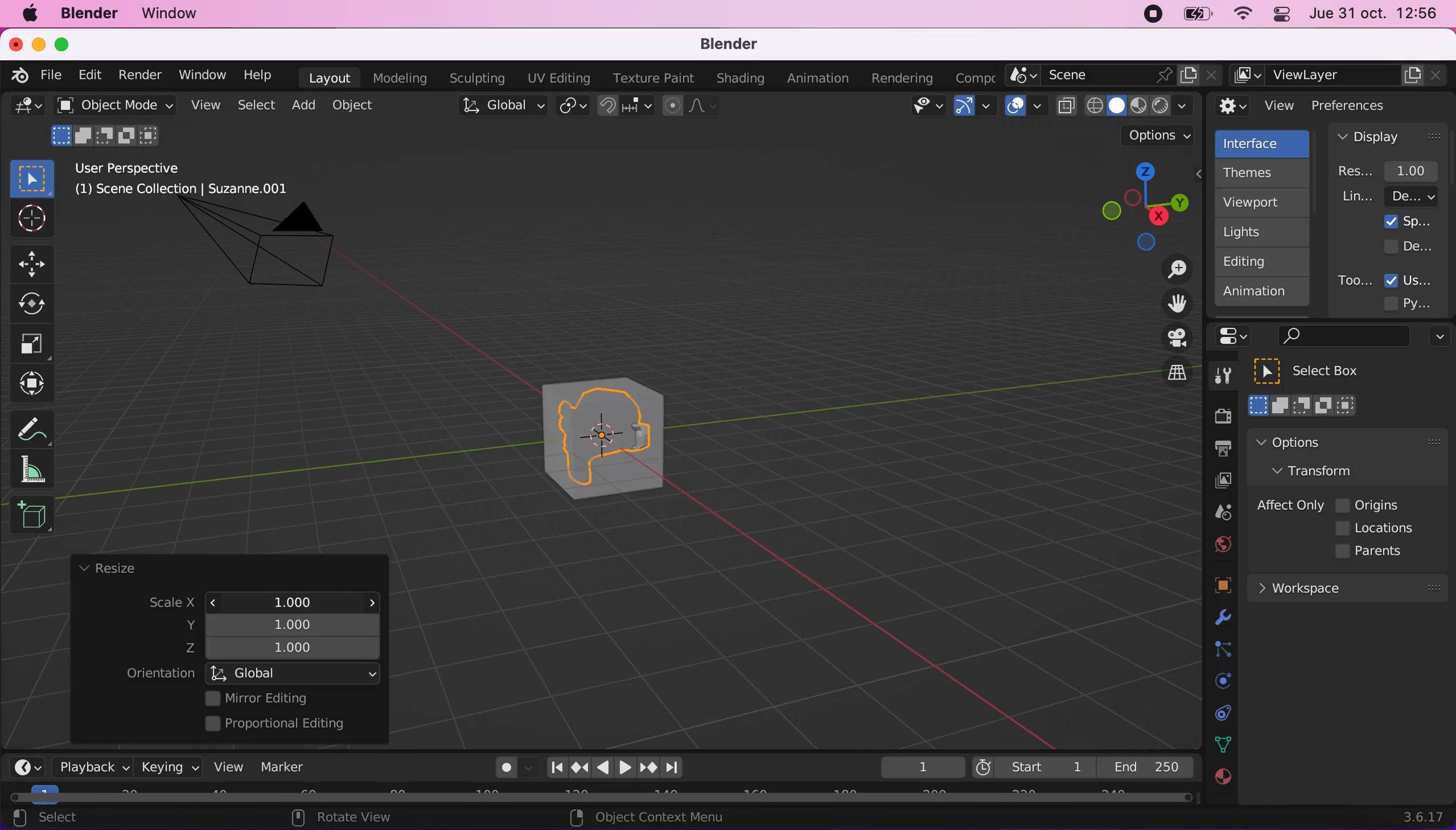 The width and height of the screenshot is (1456, 830). Describe the element at coordinates (1354, 280) in the screenshot. I see `tooltips` at that location.